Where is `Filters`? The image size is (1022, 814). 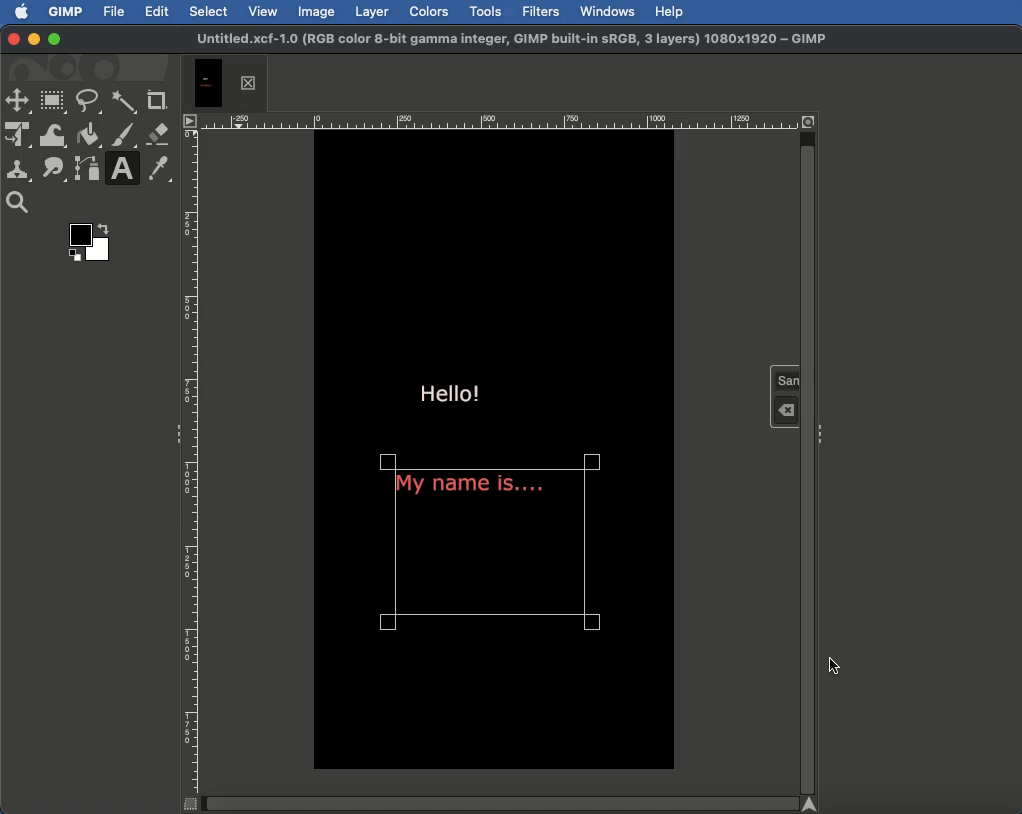
Filters is located at coordinates (541, 10).